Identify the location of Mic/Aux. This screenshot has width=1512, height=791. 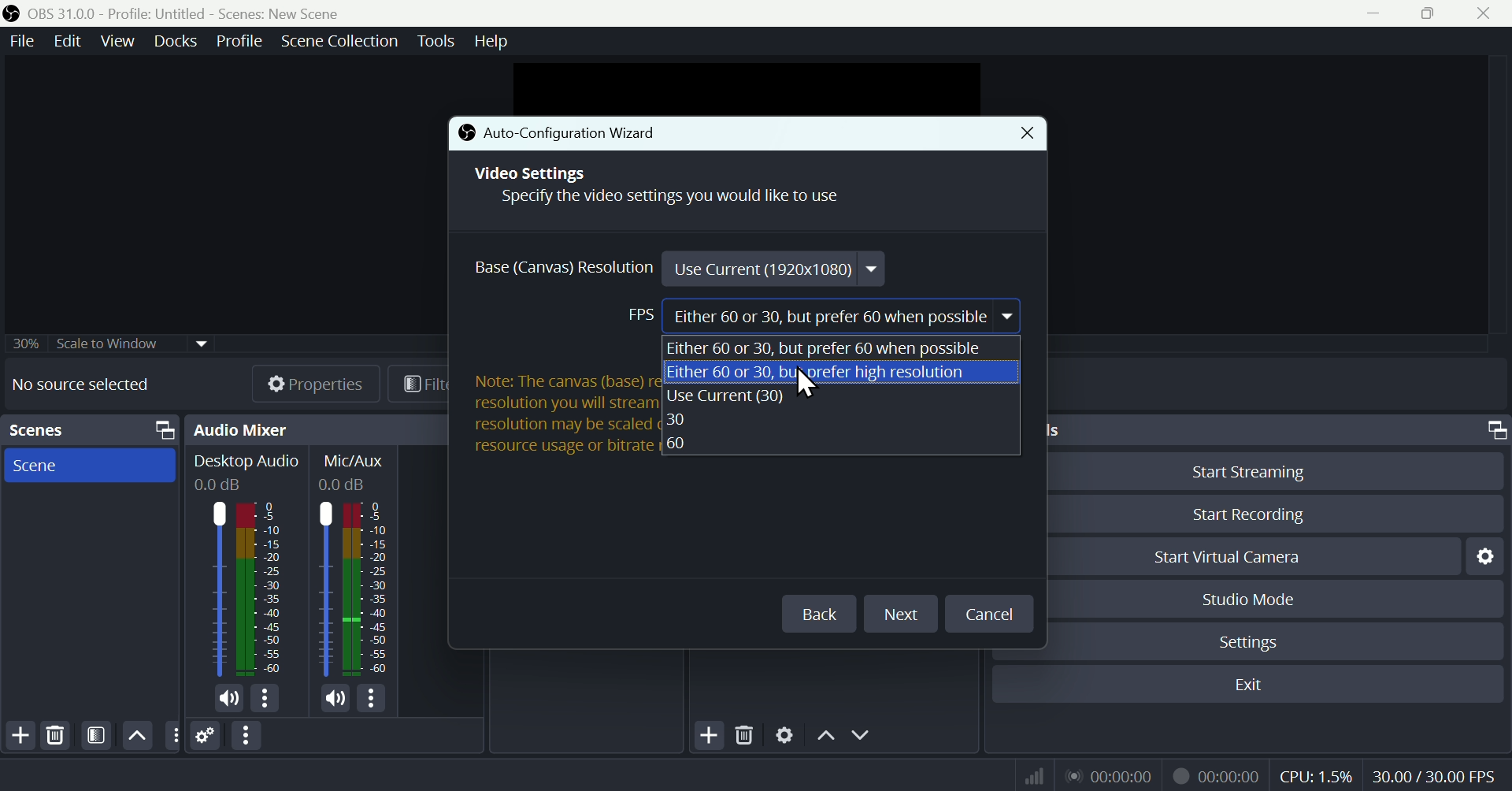
(356, 565).